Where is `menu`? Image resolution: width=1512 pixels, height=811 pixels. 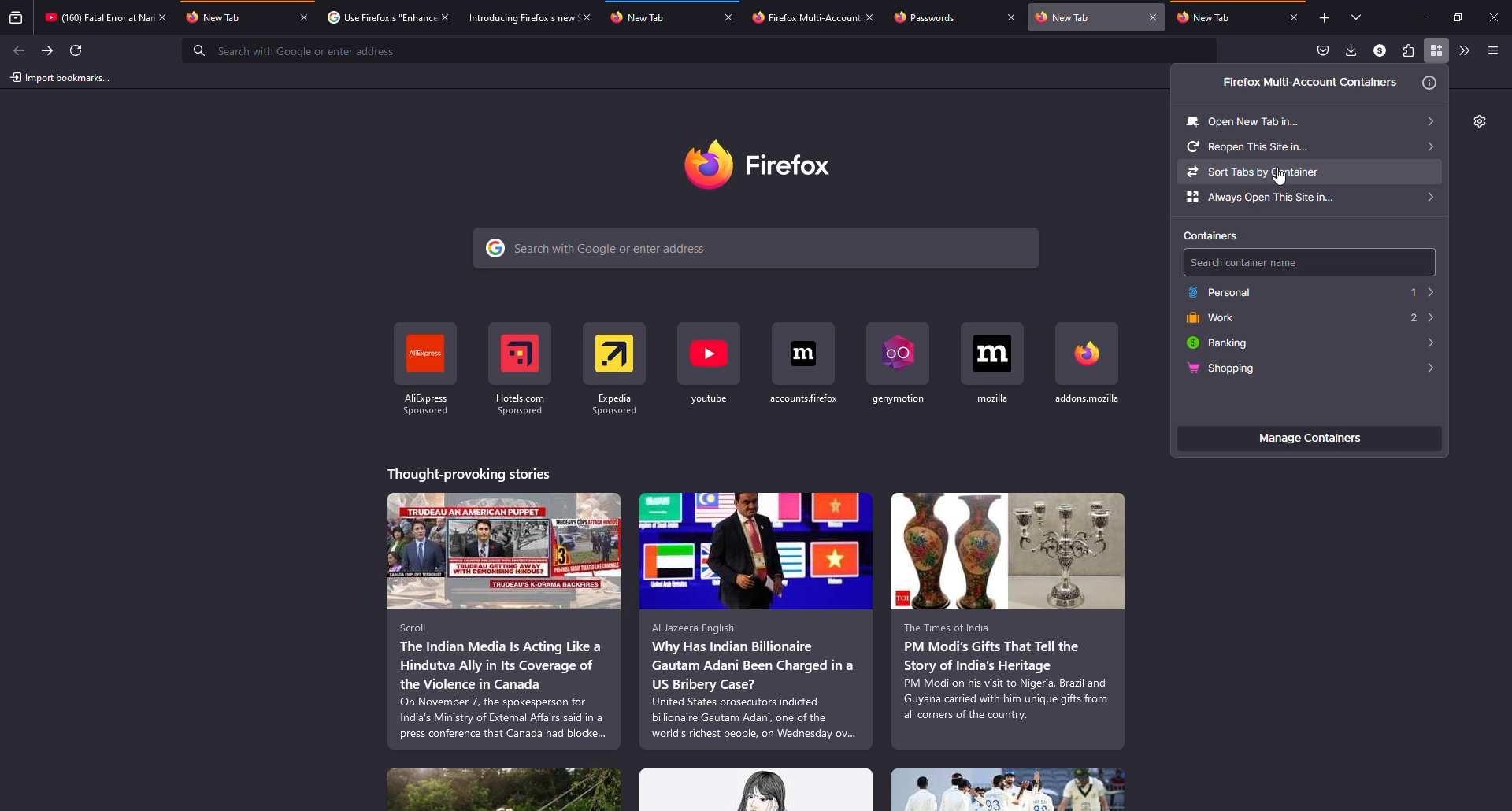
menu is located at coordinates (1492, 50).